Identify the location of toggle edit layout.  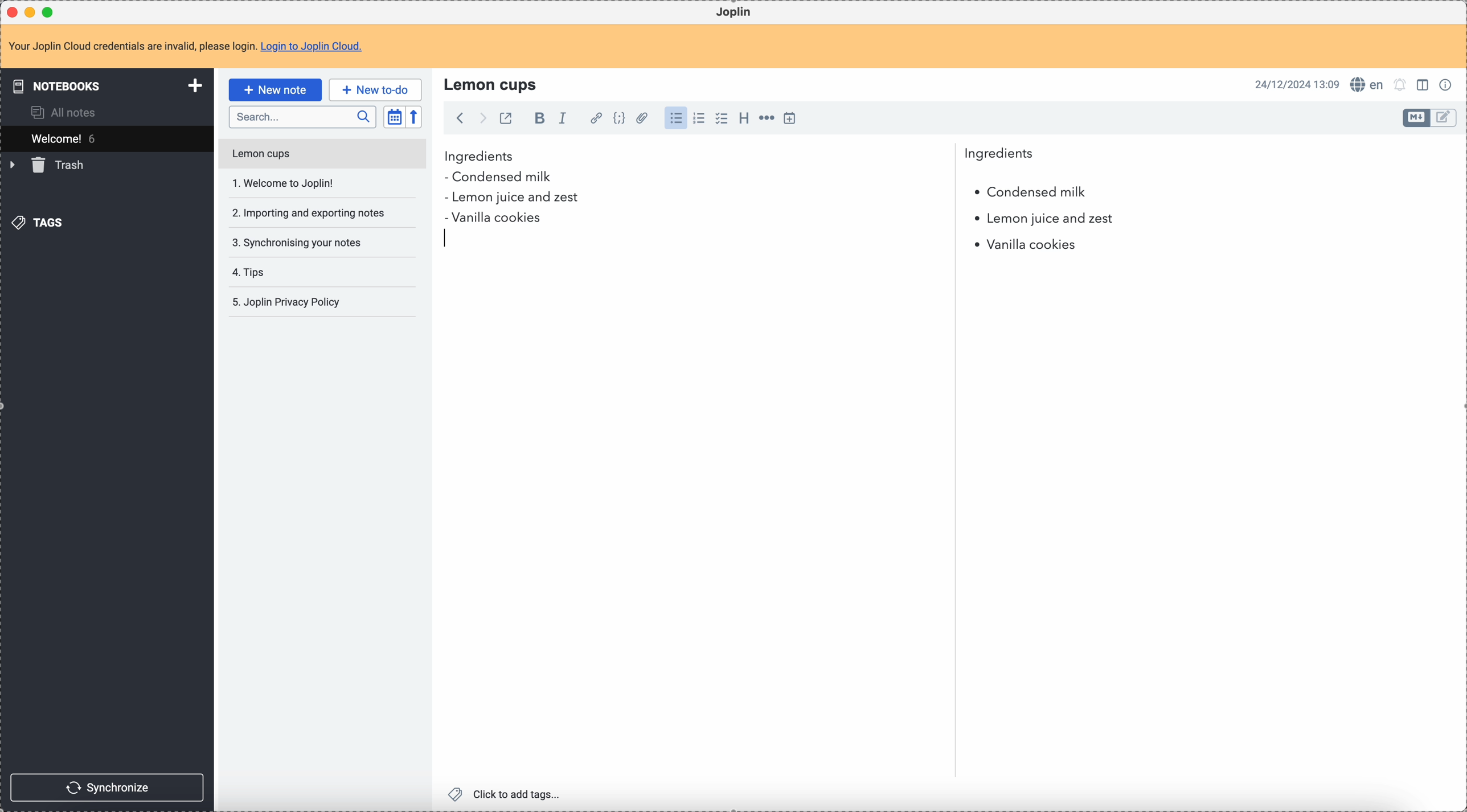
(1424, 84).